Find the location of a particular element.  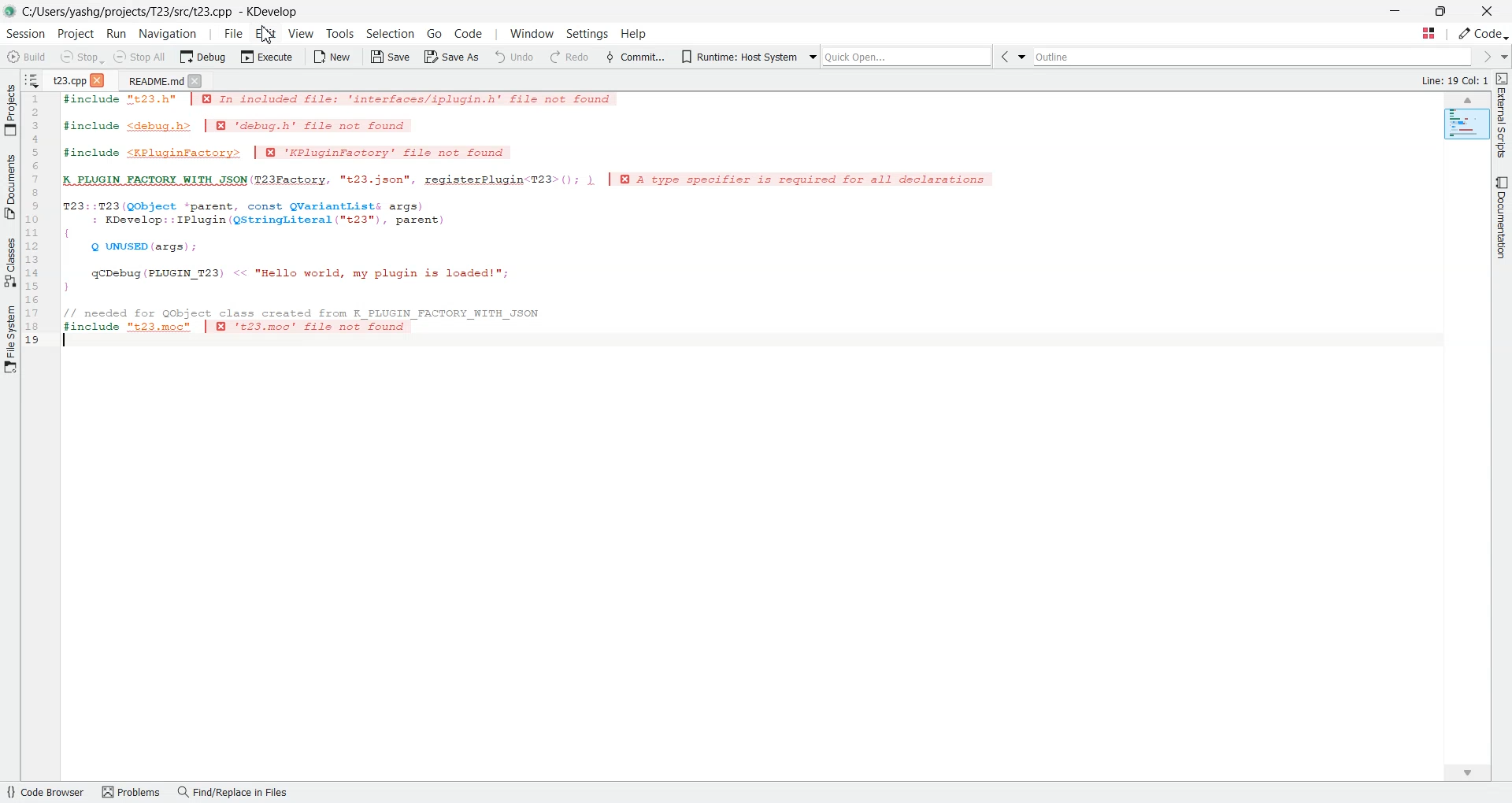

Save is located at coordinates (389, 57).